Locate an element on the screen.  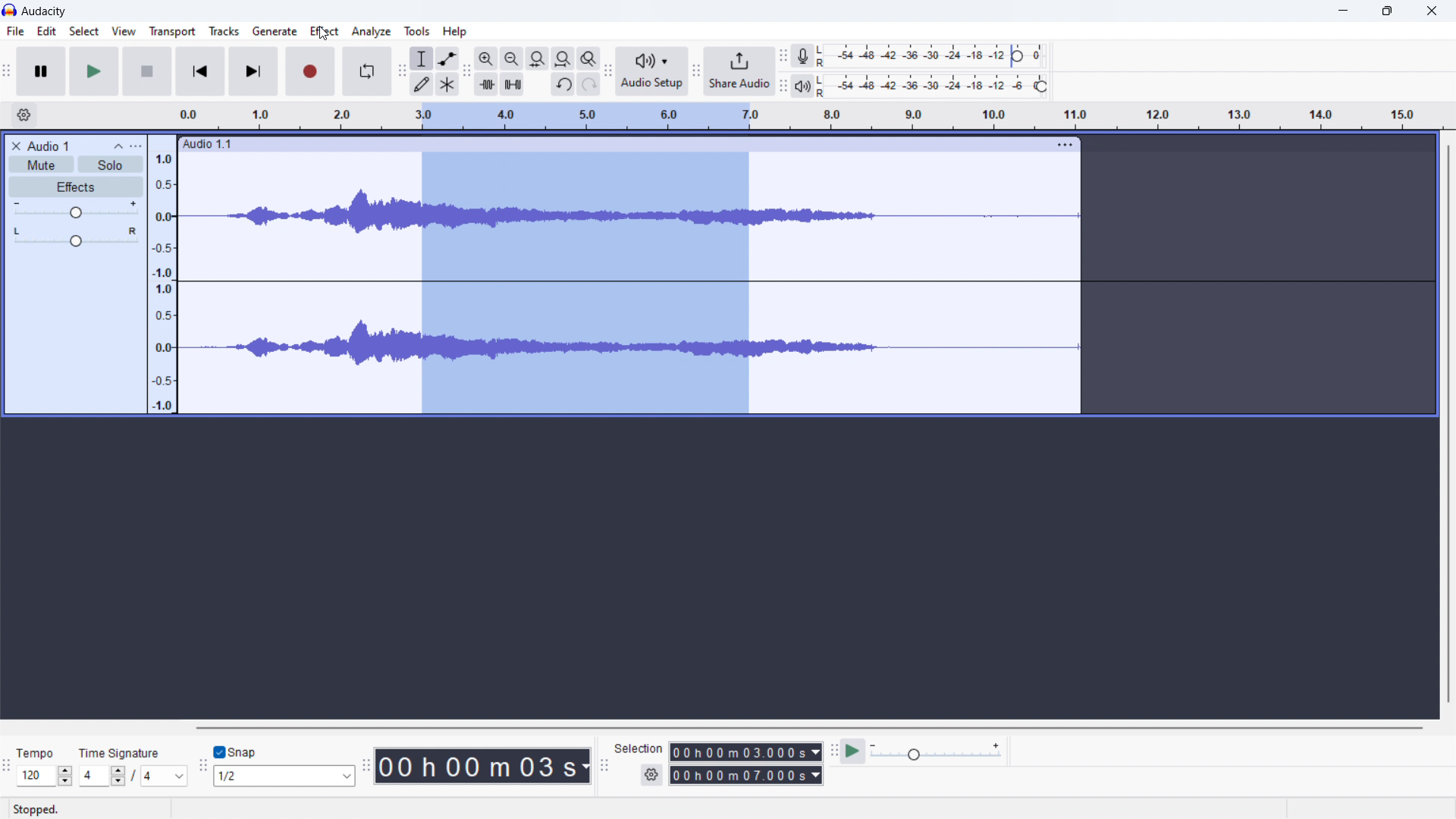
audio setup toolbar is located at coordinates (608, 71).